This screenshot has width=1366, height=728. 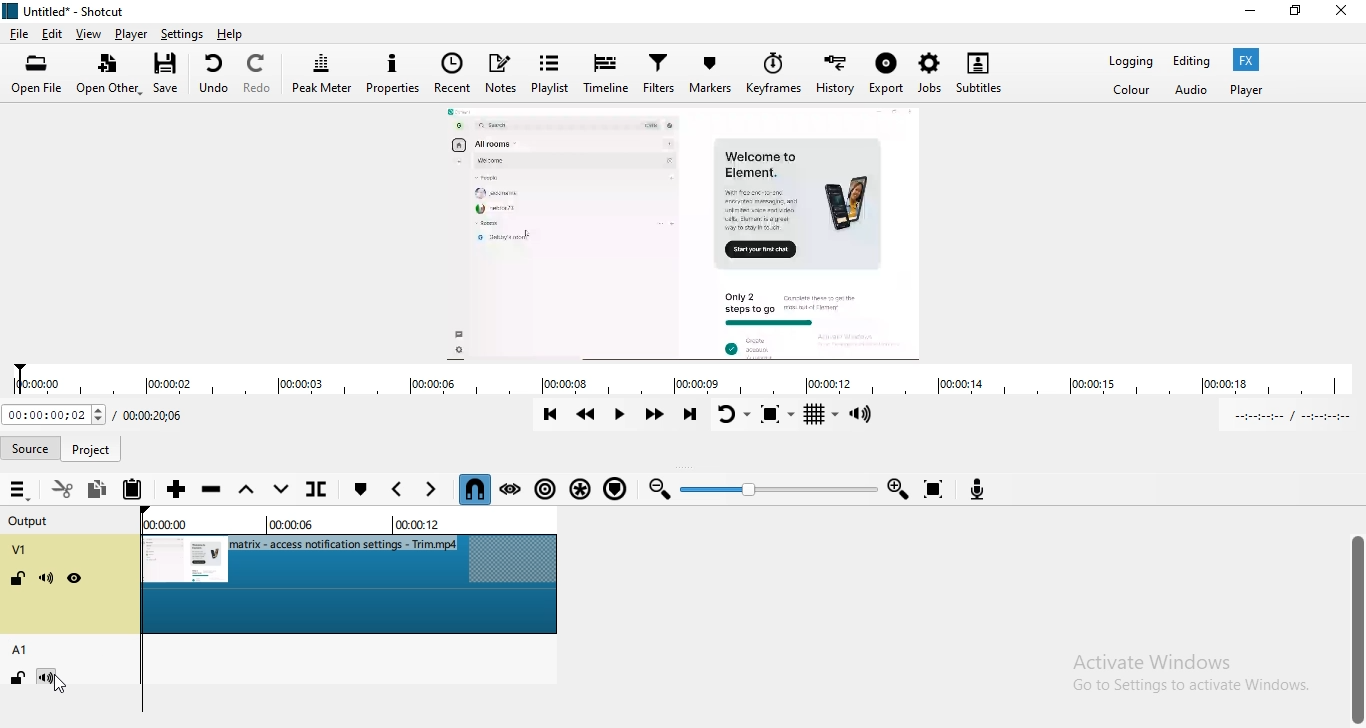 I want to click on In point, so click(x=1298, y=417).